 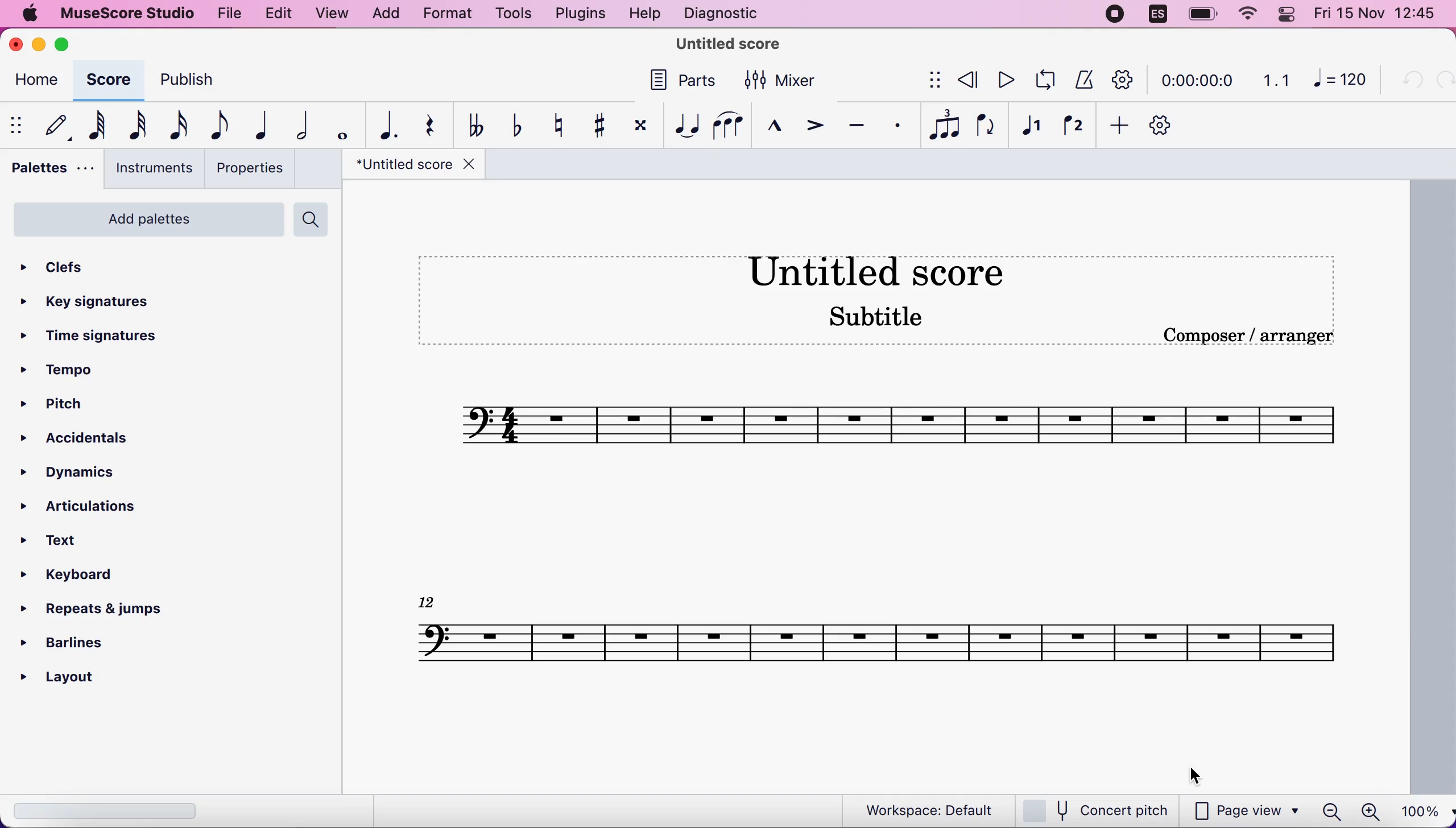 What do you see at coordinates (76, 677) in the screenshot?
I see `layout` at bounding box center [76, 677].